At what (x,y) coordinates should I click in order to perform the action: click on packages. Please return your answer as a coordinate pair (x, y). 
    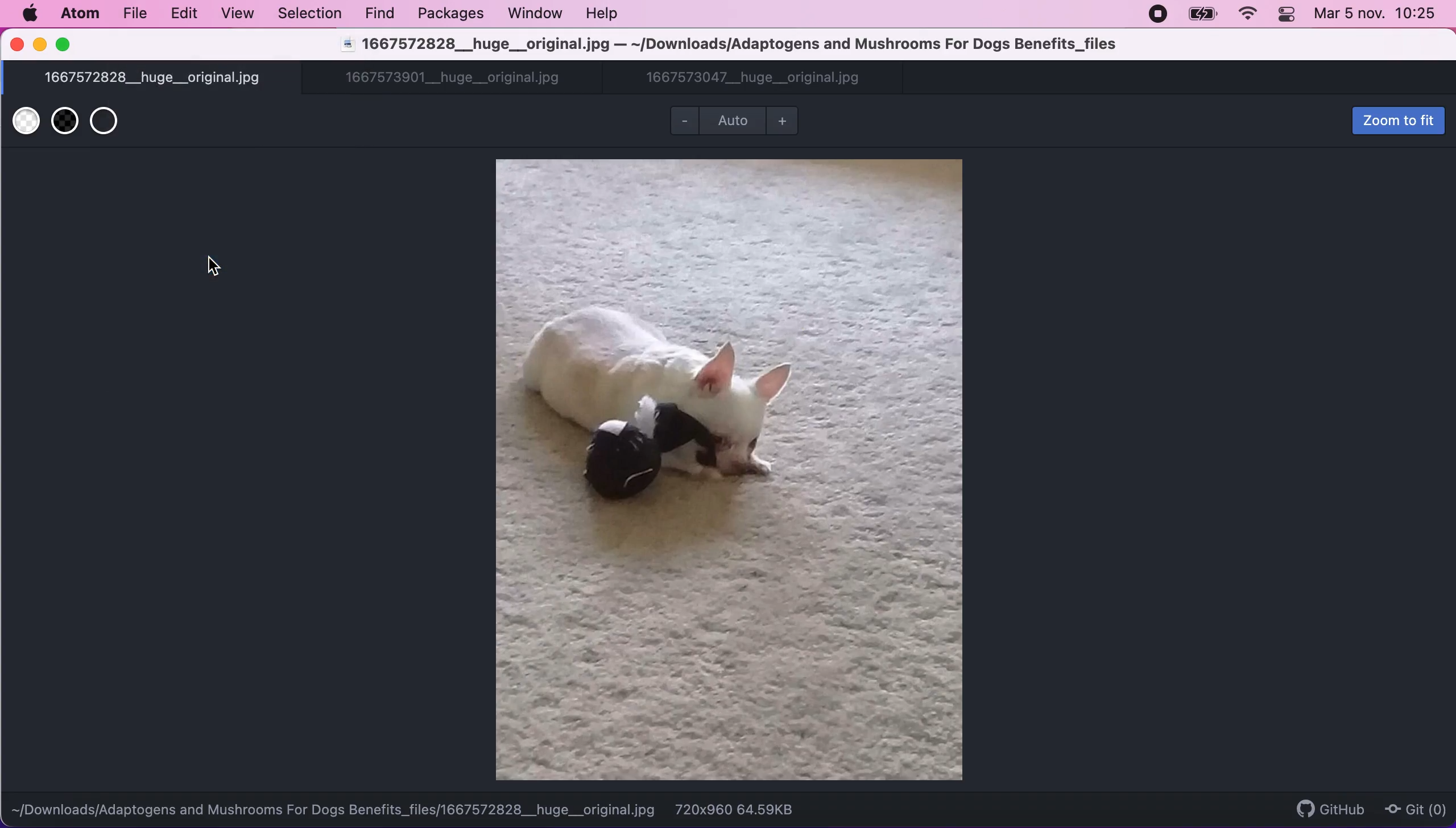
    Looking at the image, I should click on (452, 16).